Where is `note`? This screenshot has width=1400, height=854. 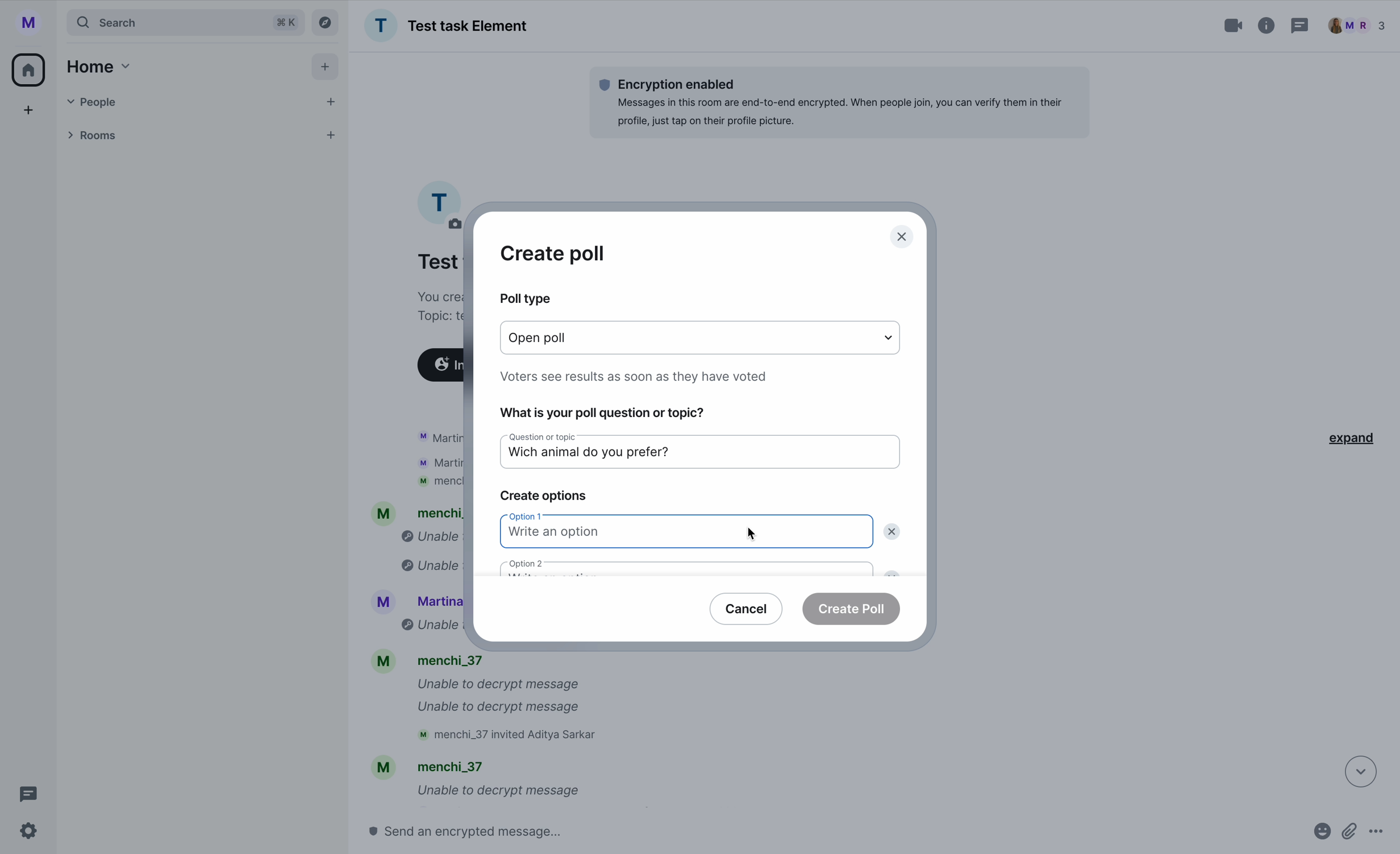
note is located at coordinates (637, 375).